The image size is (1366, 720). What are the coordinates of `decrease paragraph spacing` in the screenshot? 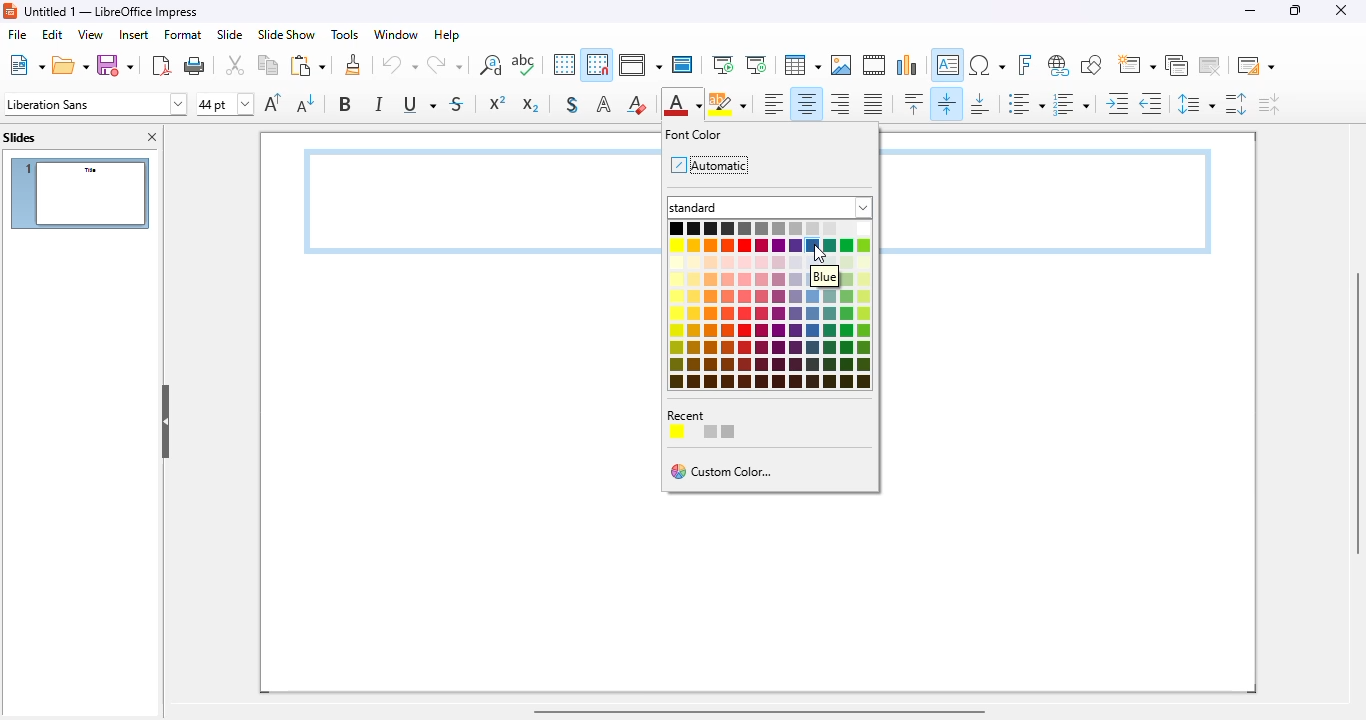 It's located at (1270, 104).